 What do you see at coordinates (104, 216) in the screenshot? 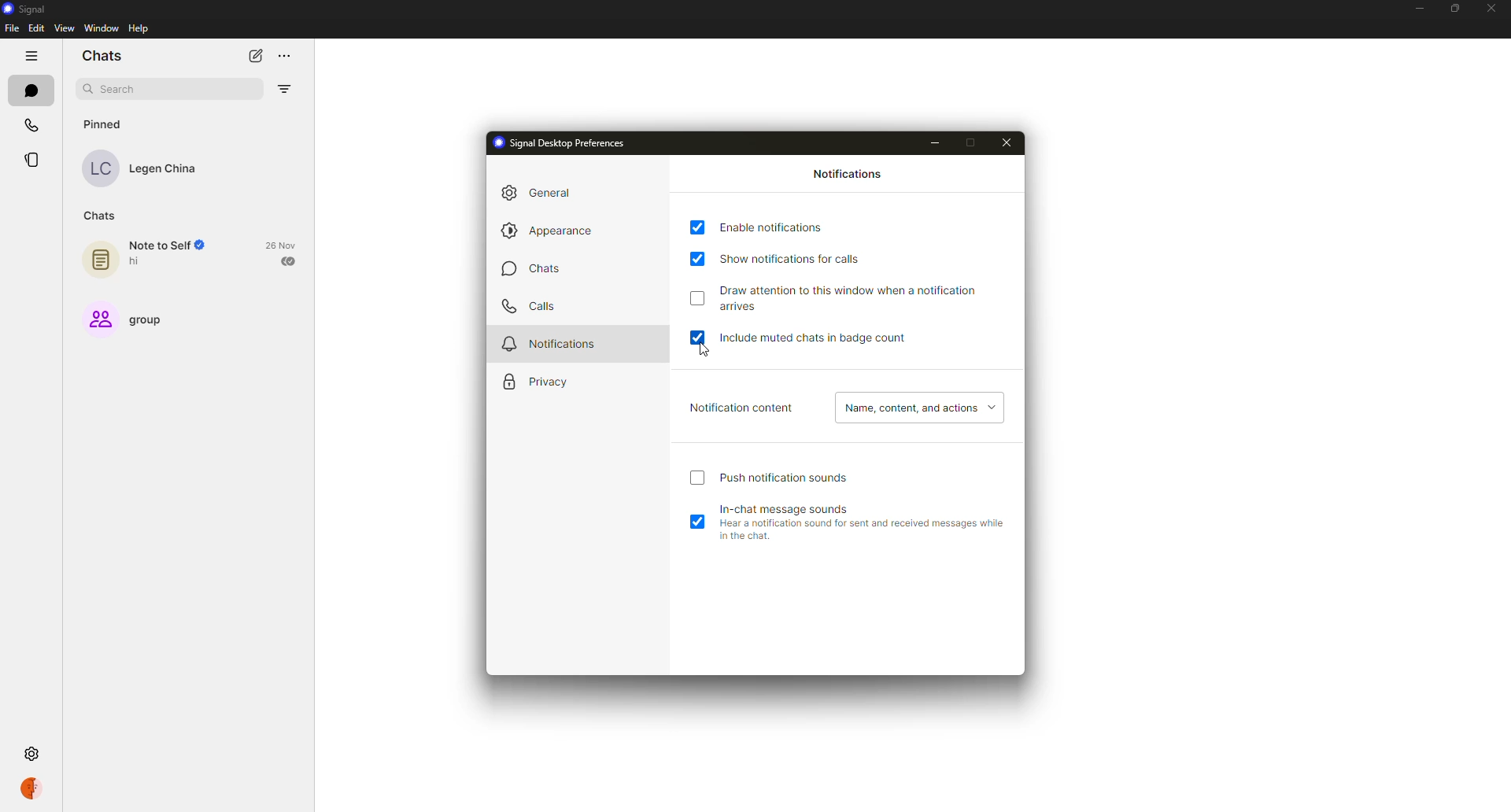
I see `chats` at bounding box center [104, 216].